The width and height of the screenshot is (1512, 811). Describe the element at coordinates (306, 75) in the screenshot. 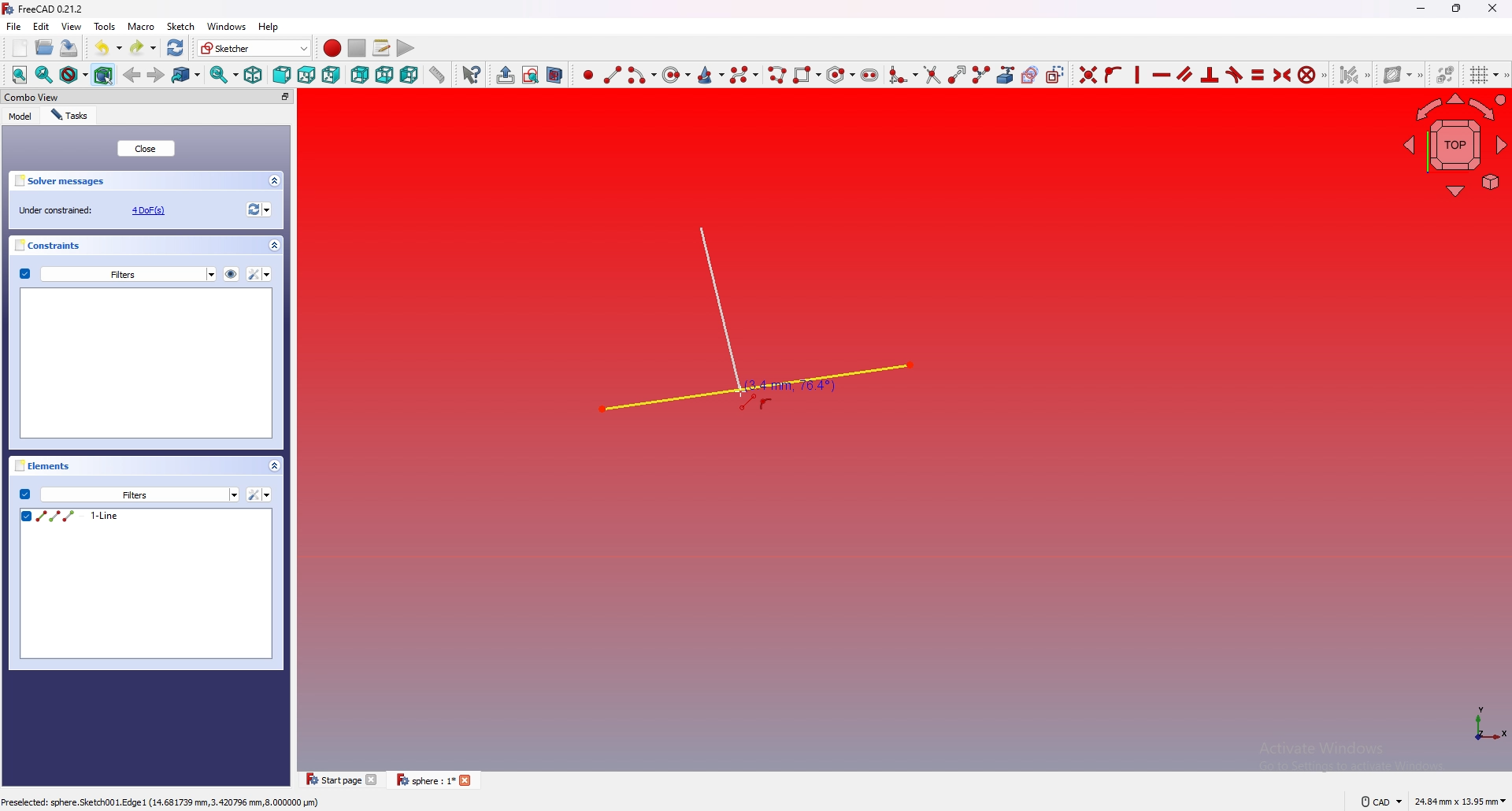

I see `Top` at that location.